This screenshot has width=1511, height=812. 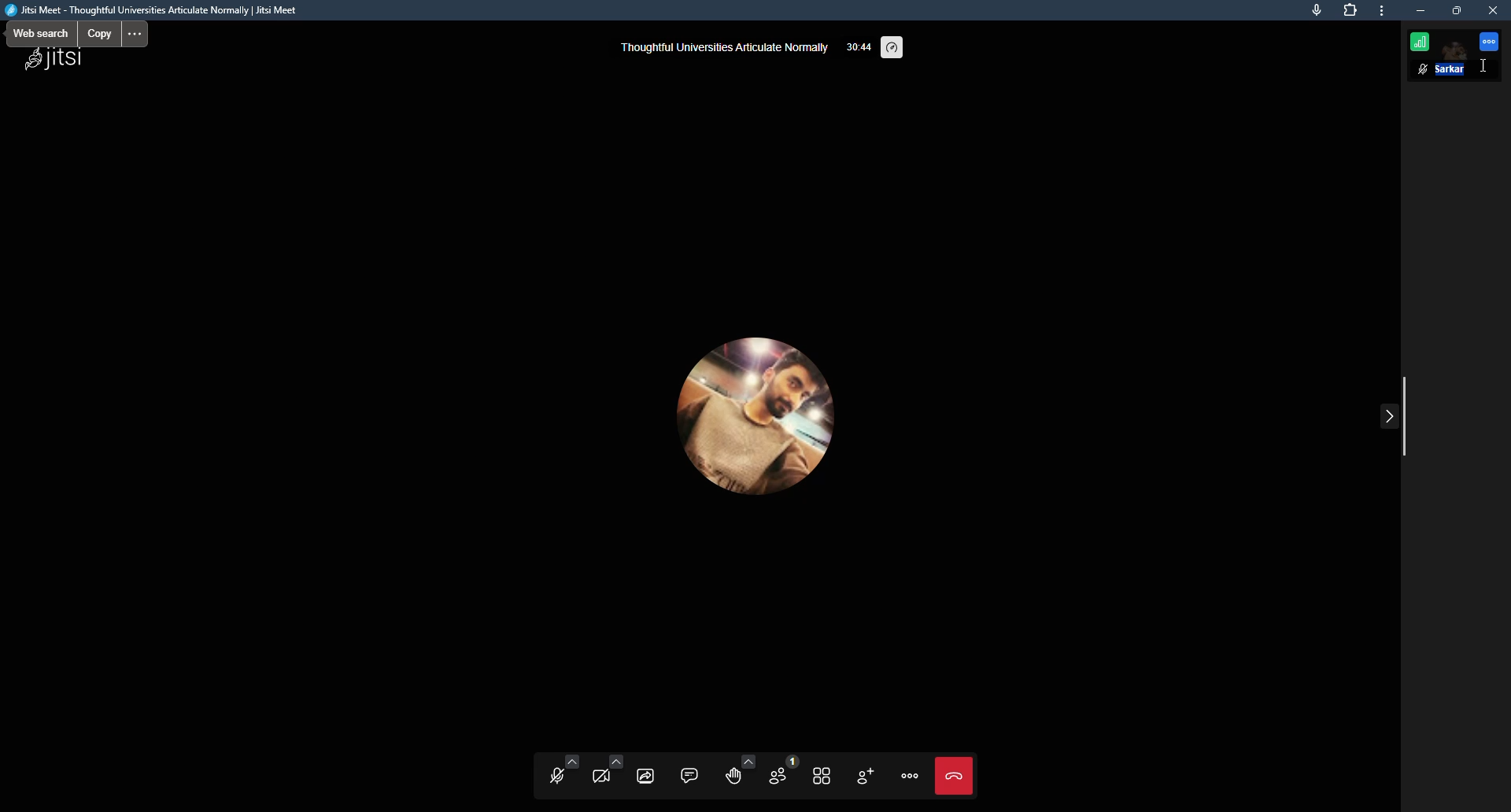 I want to click on performance settings, so click(x=897, y=46).